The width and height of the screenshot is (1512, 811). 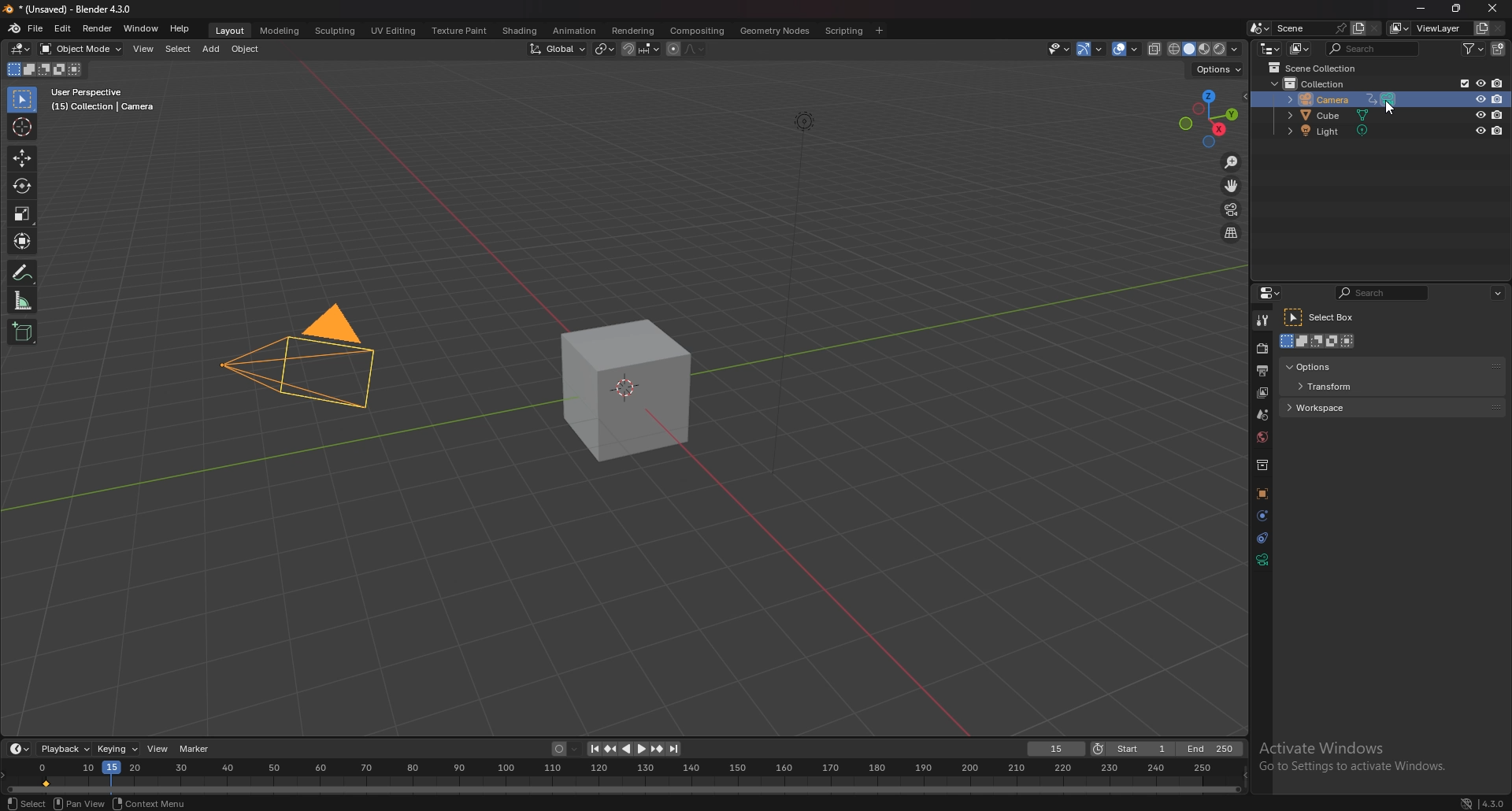 What do you see at coordinates (1299, 49) in the screenshot?
I see `display mode` at bounding box center [1299, 49].